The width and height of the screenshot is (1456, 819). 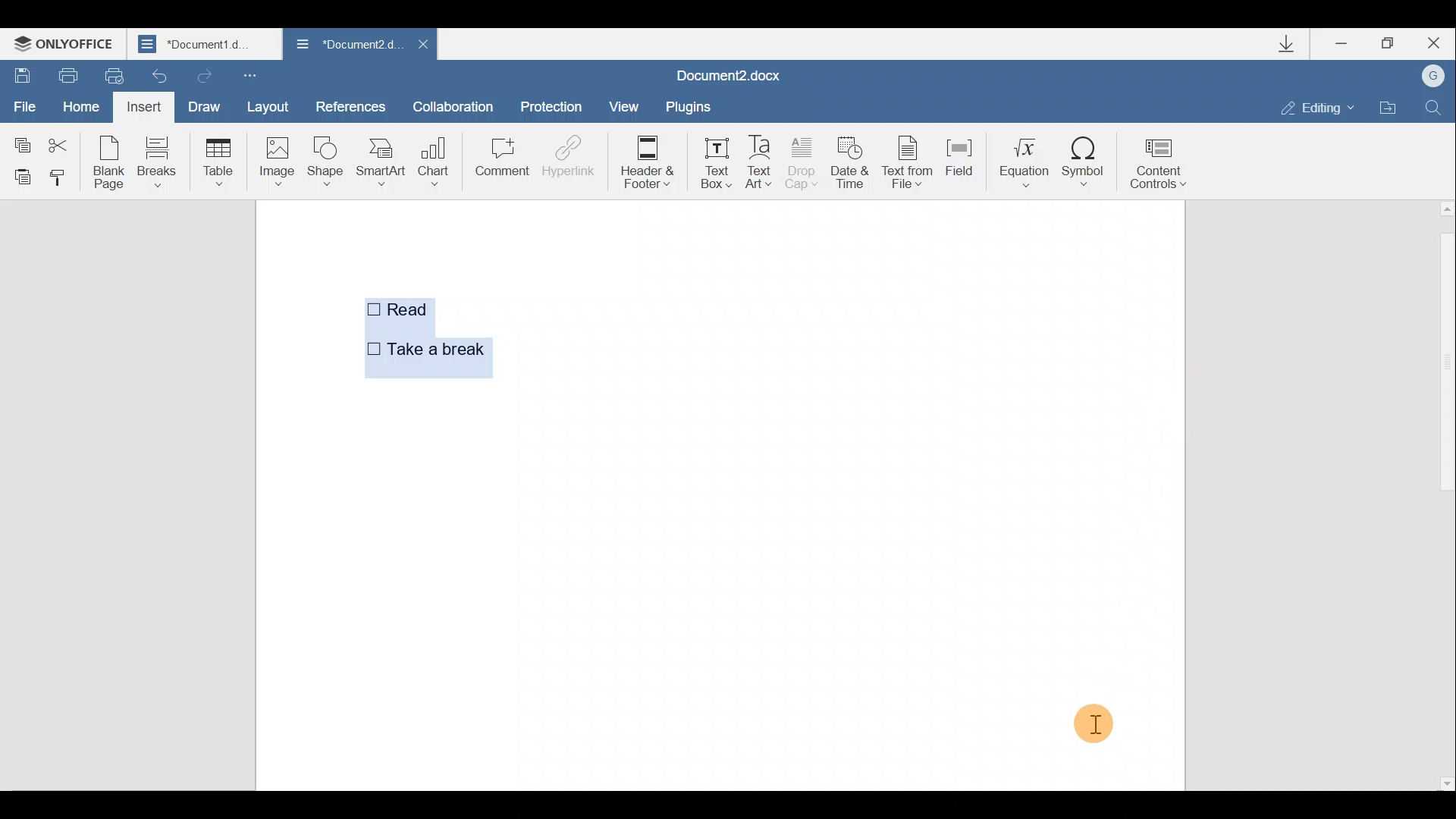 What do you see at coordinates (716, 162) in the screenshot?
I see `Text box` at bounding box center [716, 162].